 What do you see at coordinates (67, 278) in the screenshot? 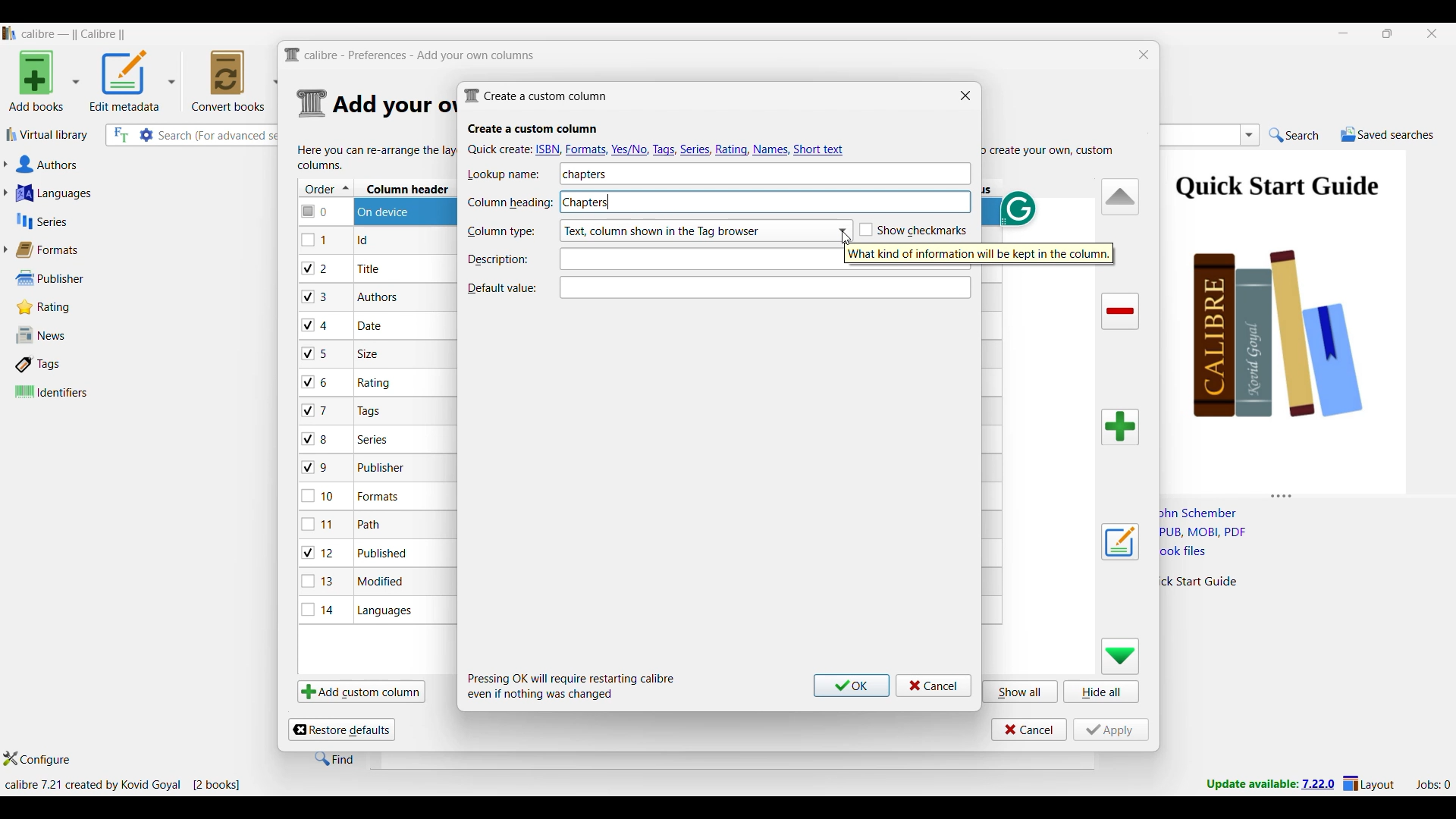
I see `Publisher` at bounding box center [67, 278].